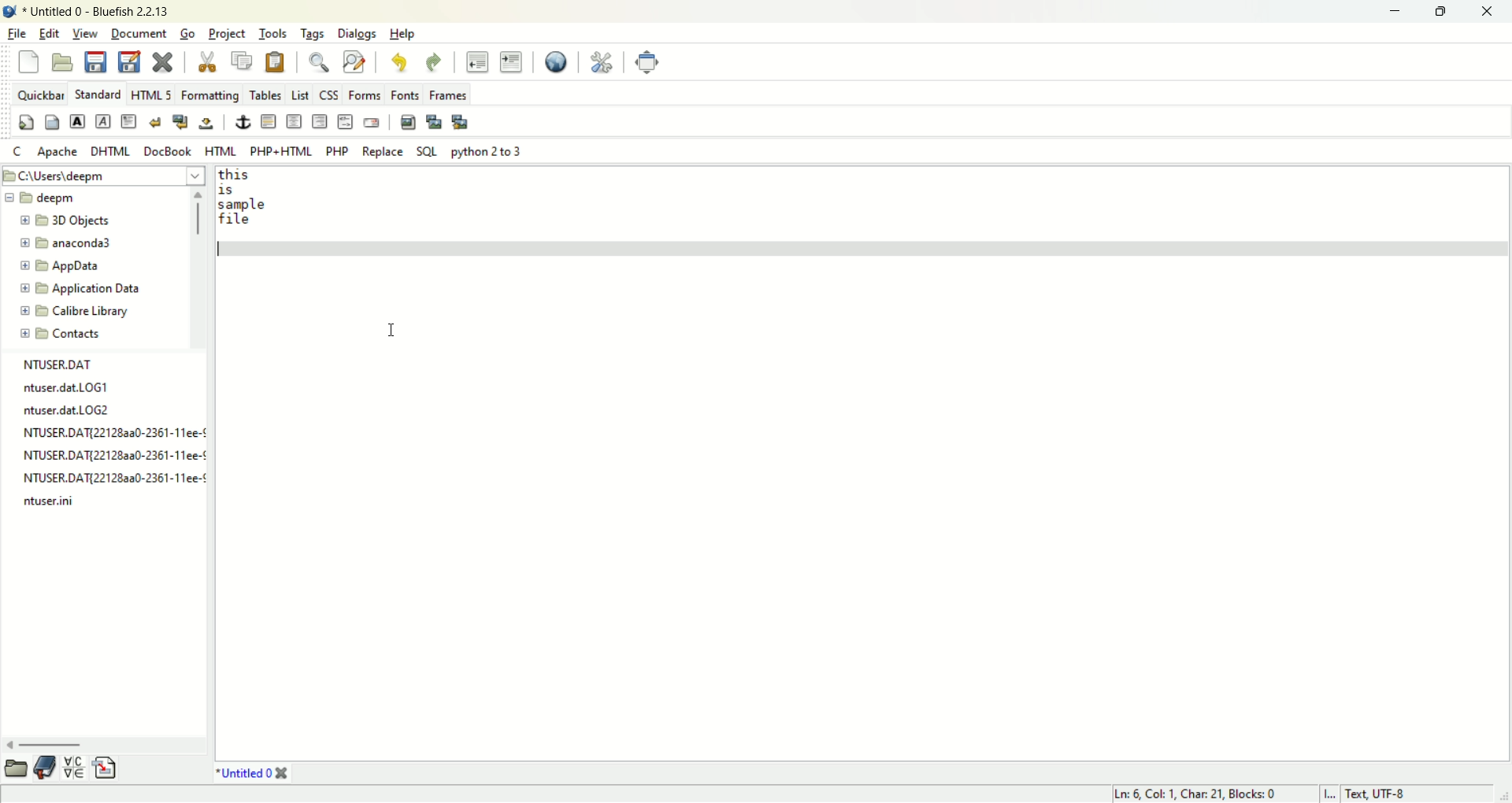 This screenshot has height=803, width=1512. I want to click on edit, so click(52, 33).